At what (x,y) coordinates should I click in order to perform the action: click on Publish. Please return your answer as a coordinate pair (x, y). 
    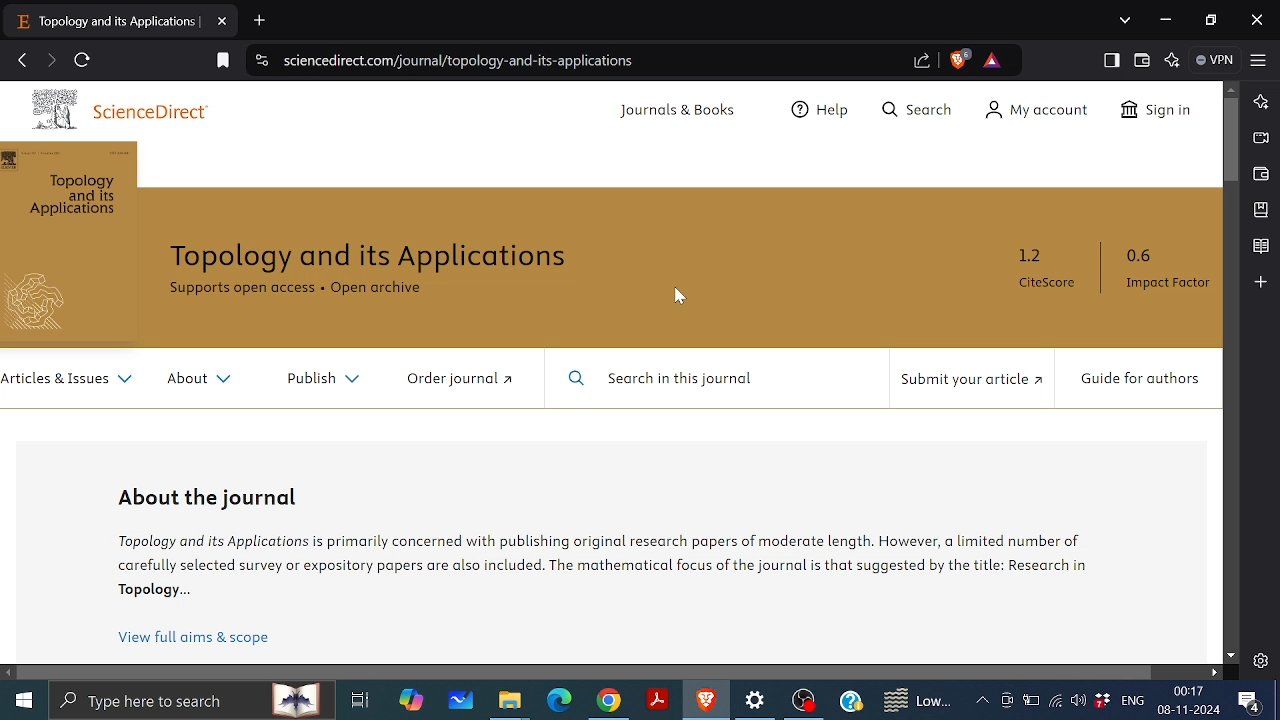
    Looking at the image, I should click on (322, 382).